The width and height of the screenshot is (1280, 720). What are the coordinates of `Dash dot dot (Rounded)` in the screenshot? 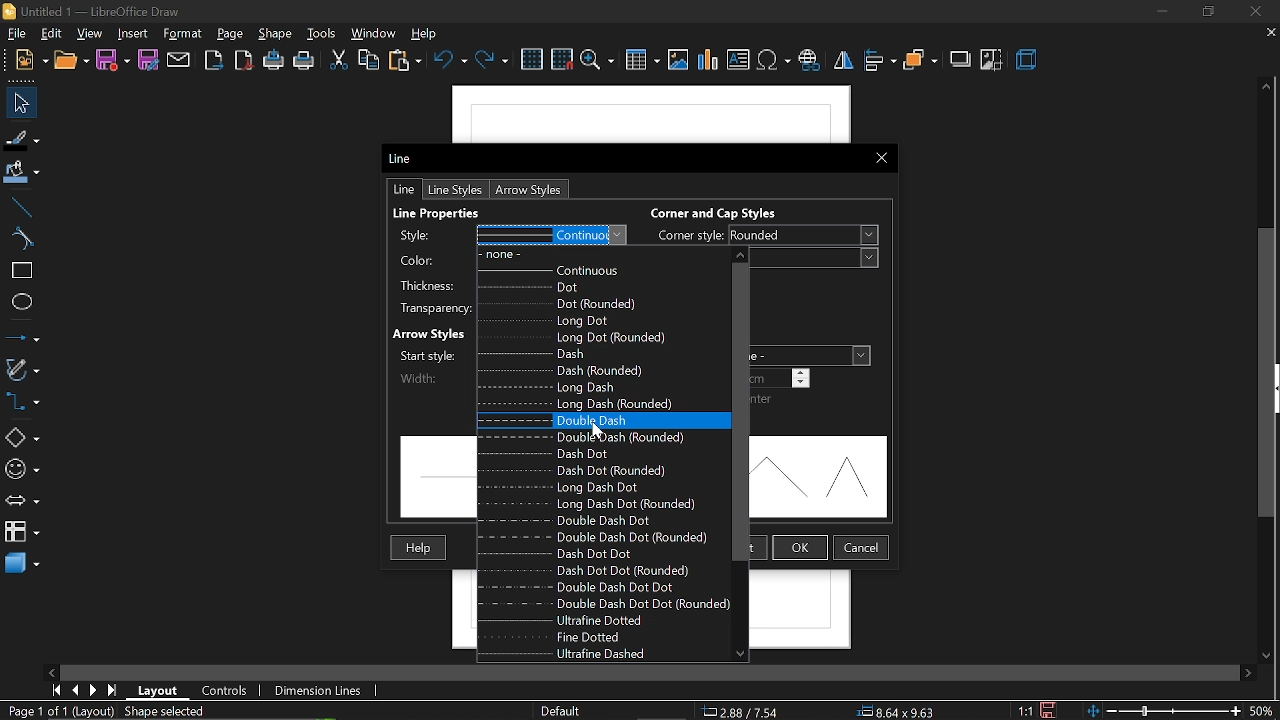 It's located at (595, 570).